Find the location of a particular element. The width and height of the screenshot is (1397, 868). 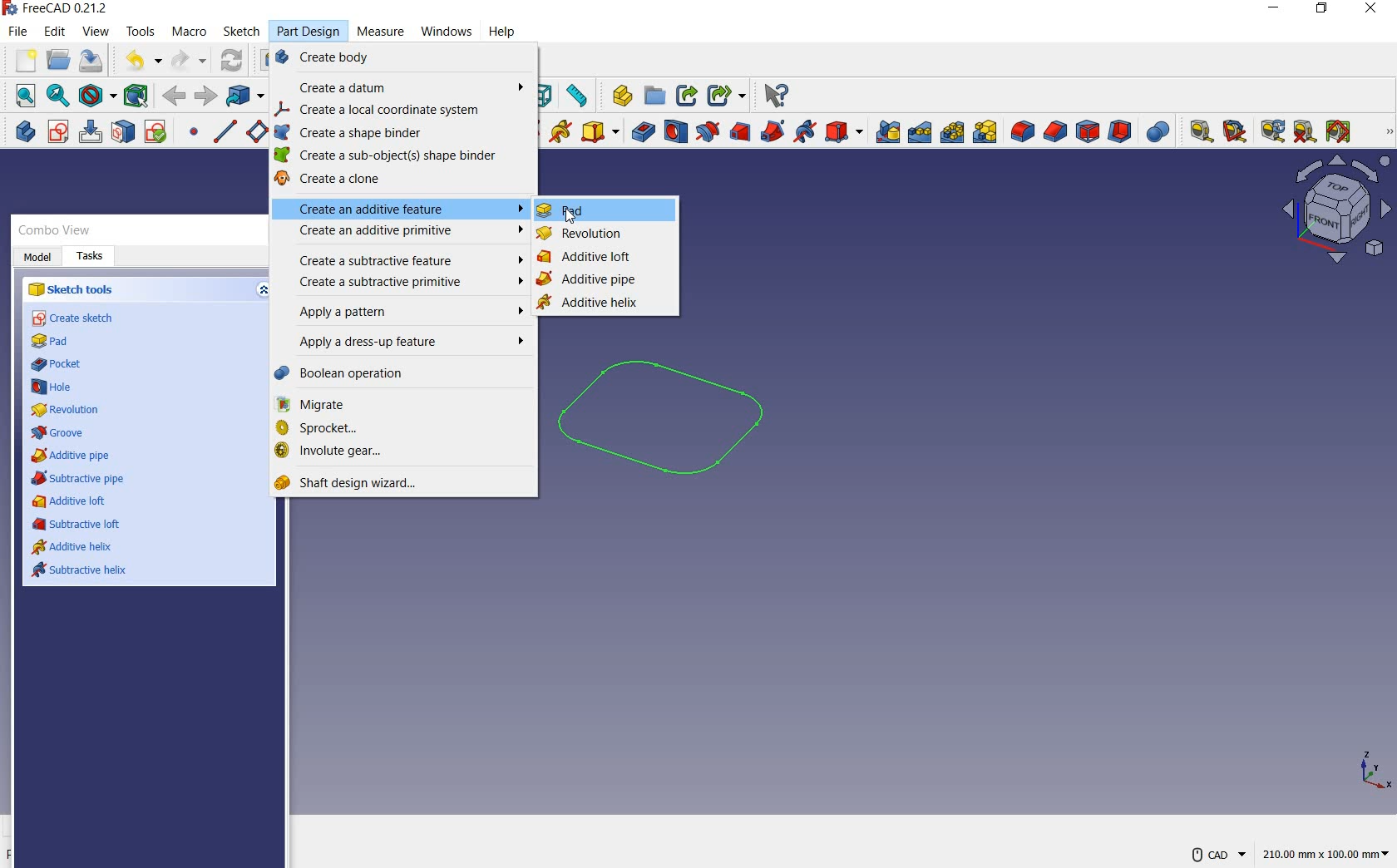

clear all is located at coordinates (1306, 133).